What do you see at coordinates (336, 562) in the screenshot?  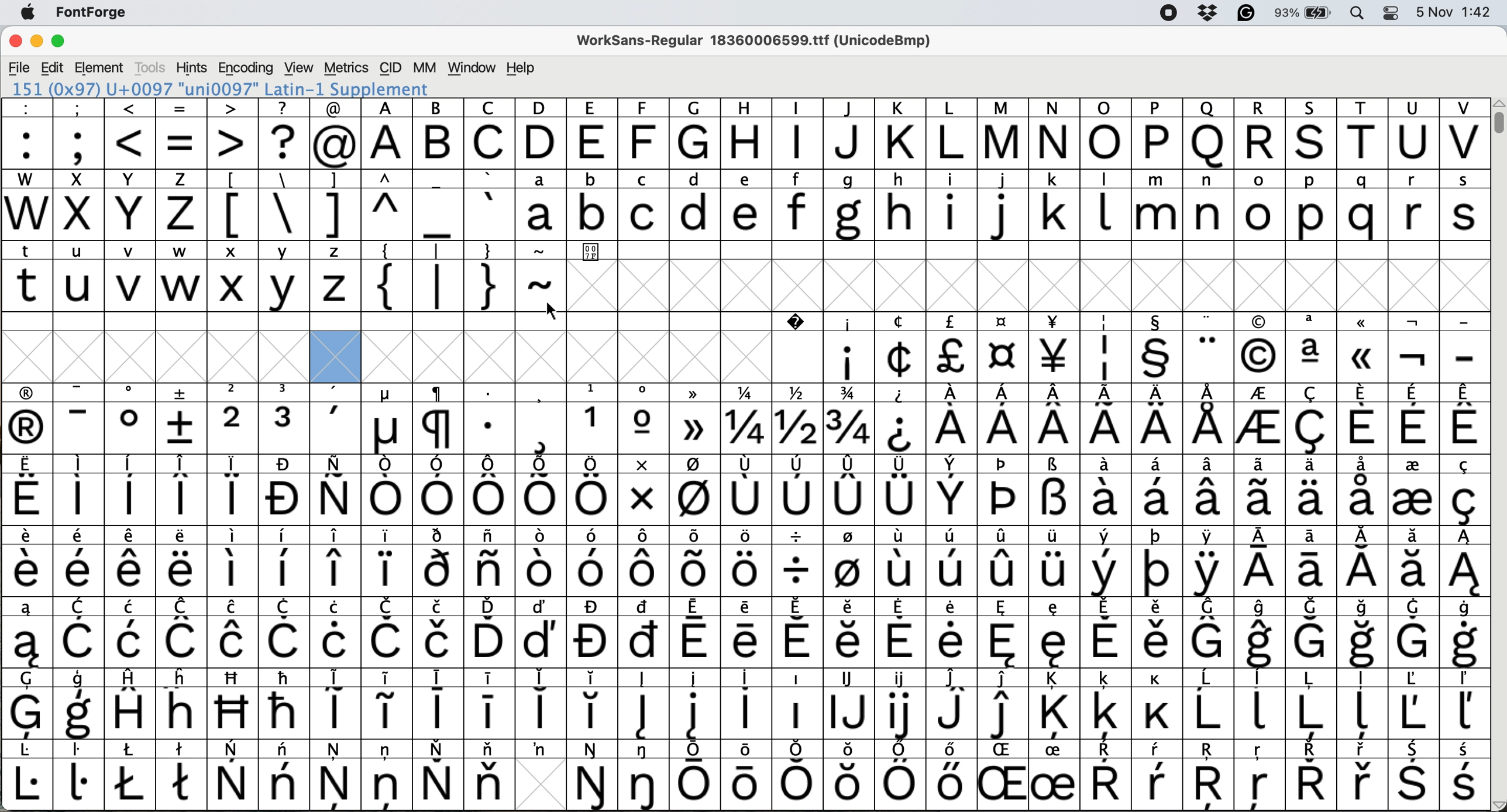 I see `symbol` at bounding box center [336, 562].